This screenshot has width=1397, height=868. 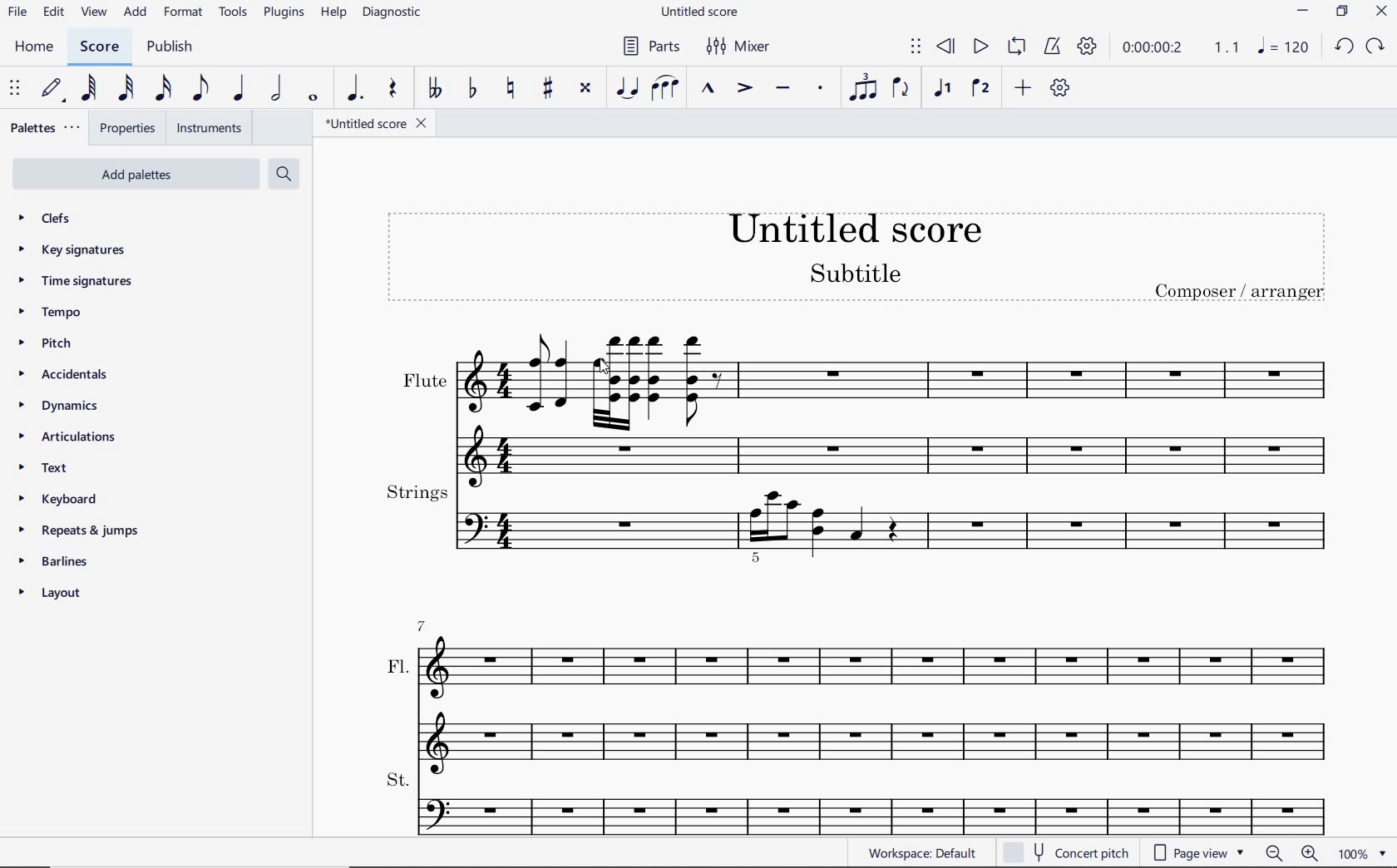 I want to click on SELECT TO MOVE, so click(x=17, y=89).